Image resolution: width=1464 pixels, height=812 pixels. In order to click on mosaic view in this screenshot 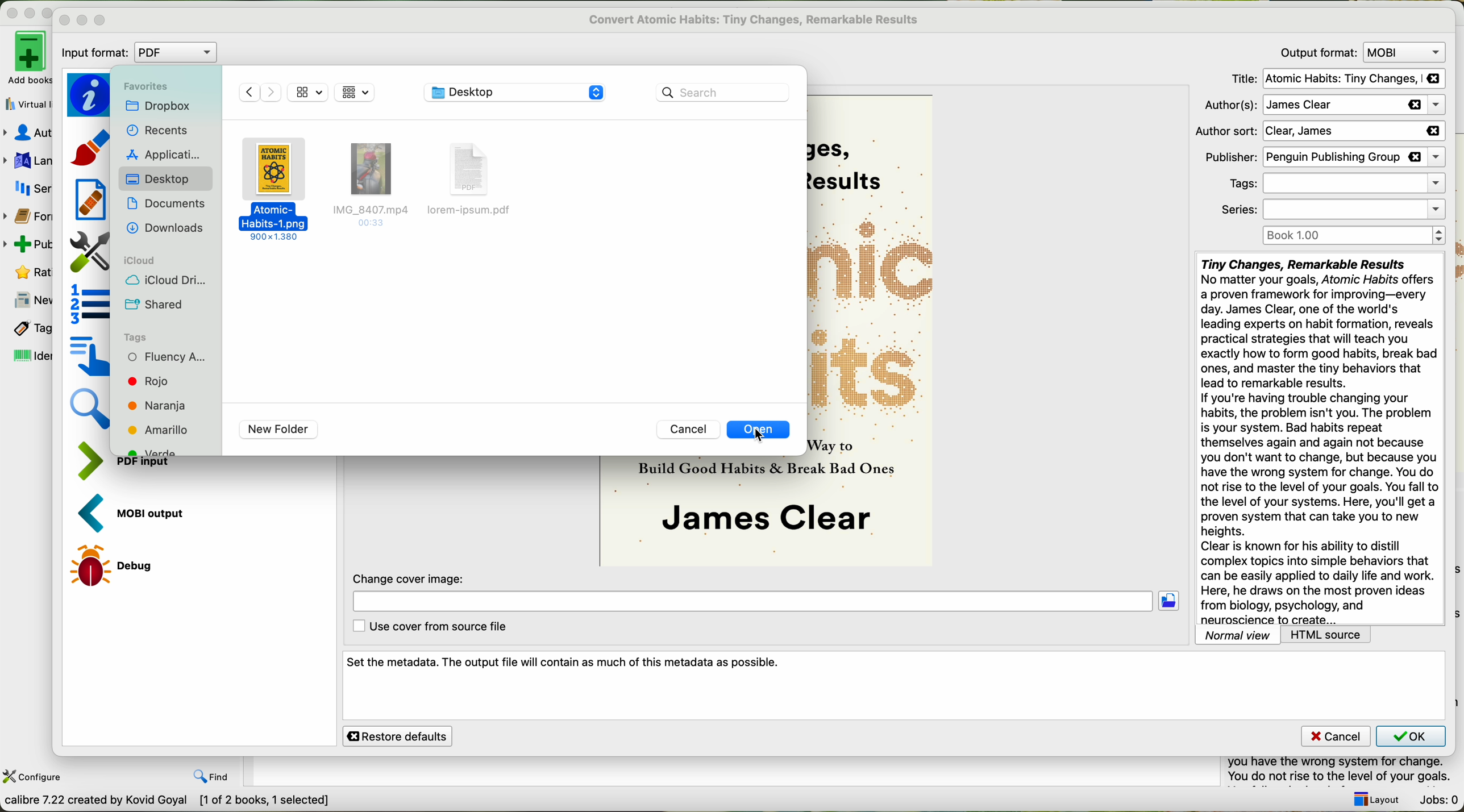, I will do `click(309, 92)`.